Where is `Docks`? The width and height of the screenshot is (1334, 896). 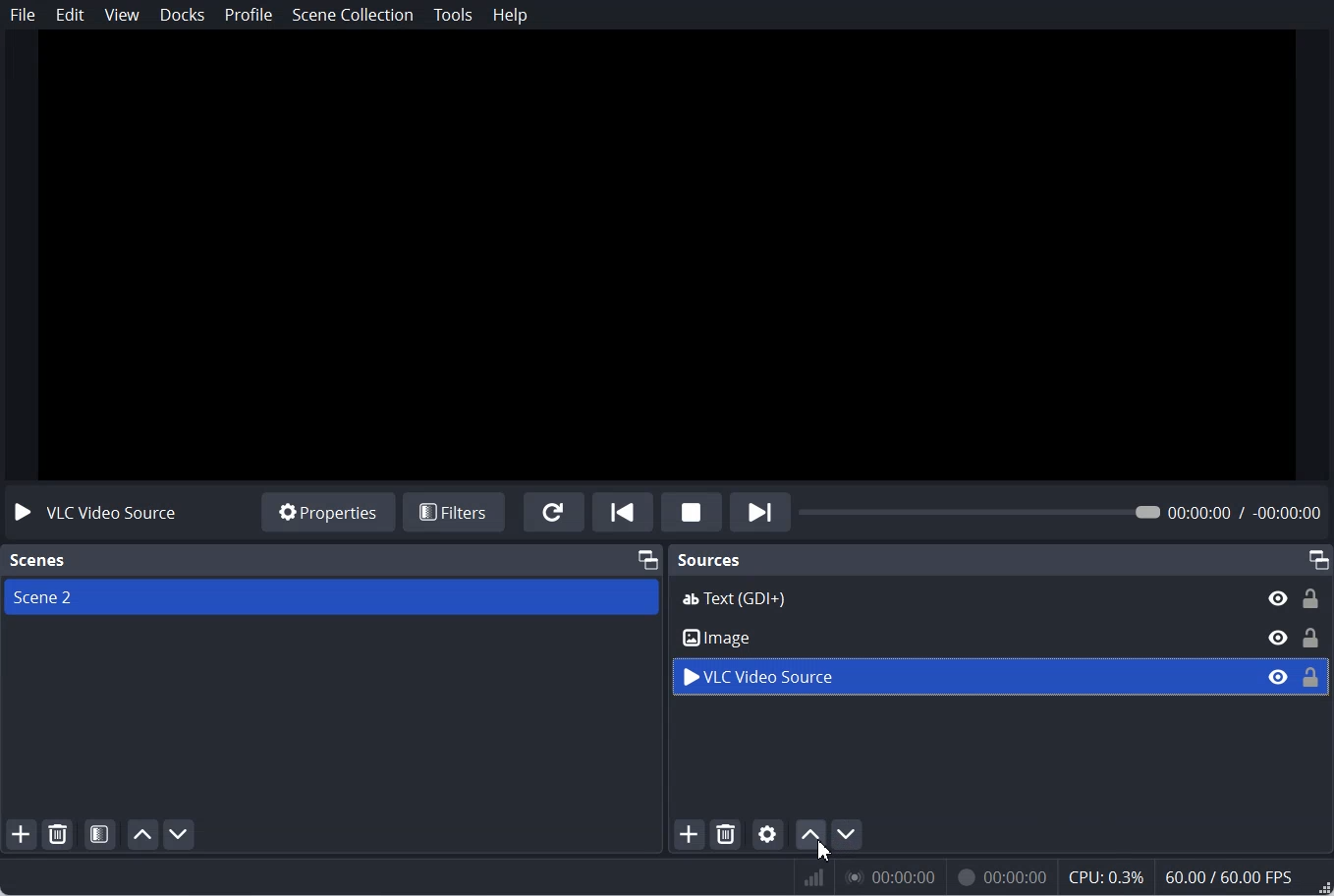 Docks is located at coordinates (183, 15).